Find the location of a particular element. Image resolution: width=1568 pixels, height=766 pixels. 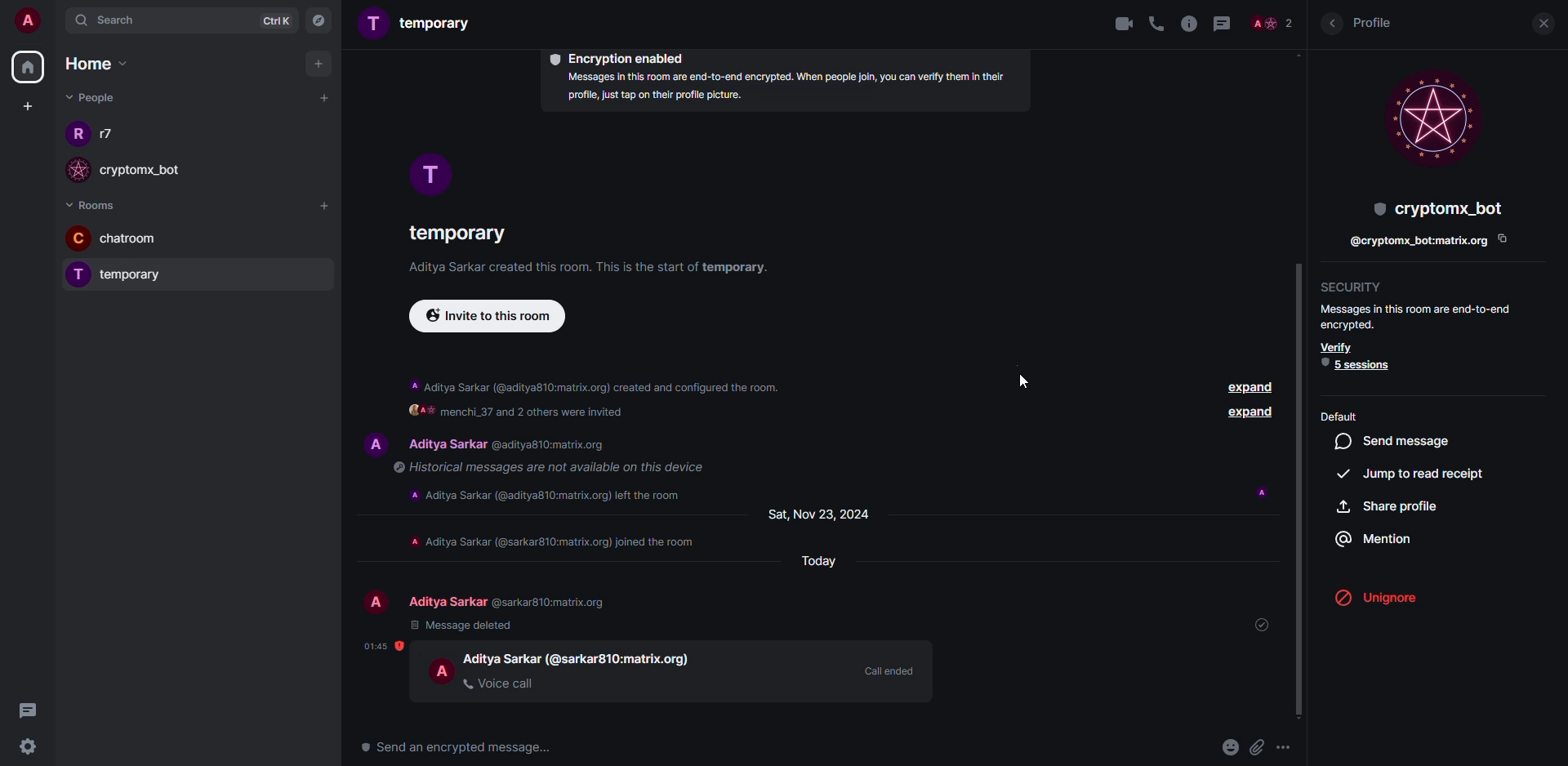

room is located at coordinates (418, 24).